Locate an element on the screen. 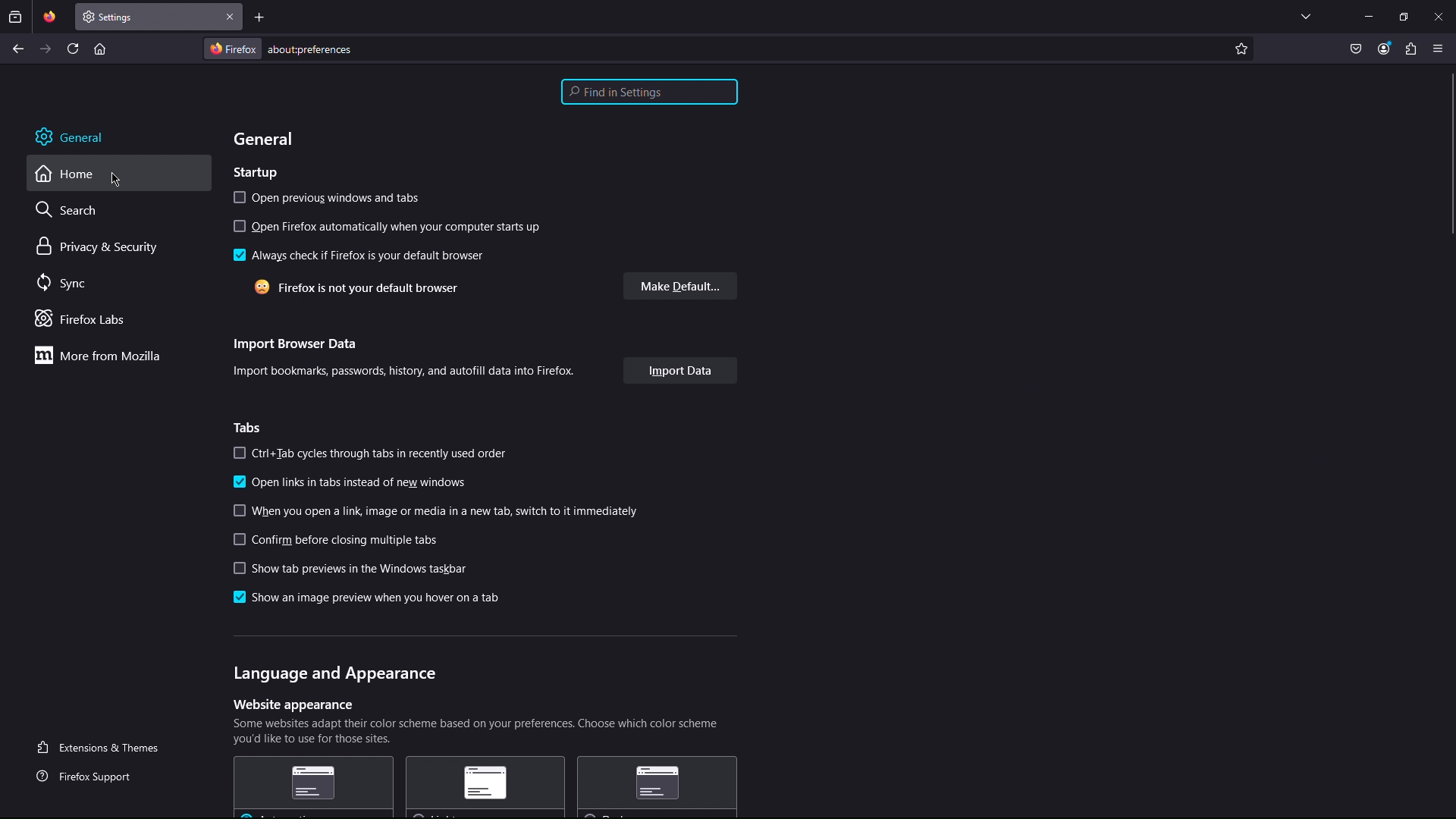  Minimize is located at coordinates (1368, 16).